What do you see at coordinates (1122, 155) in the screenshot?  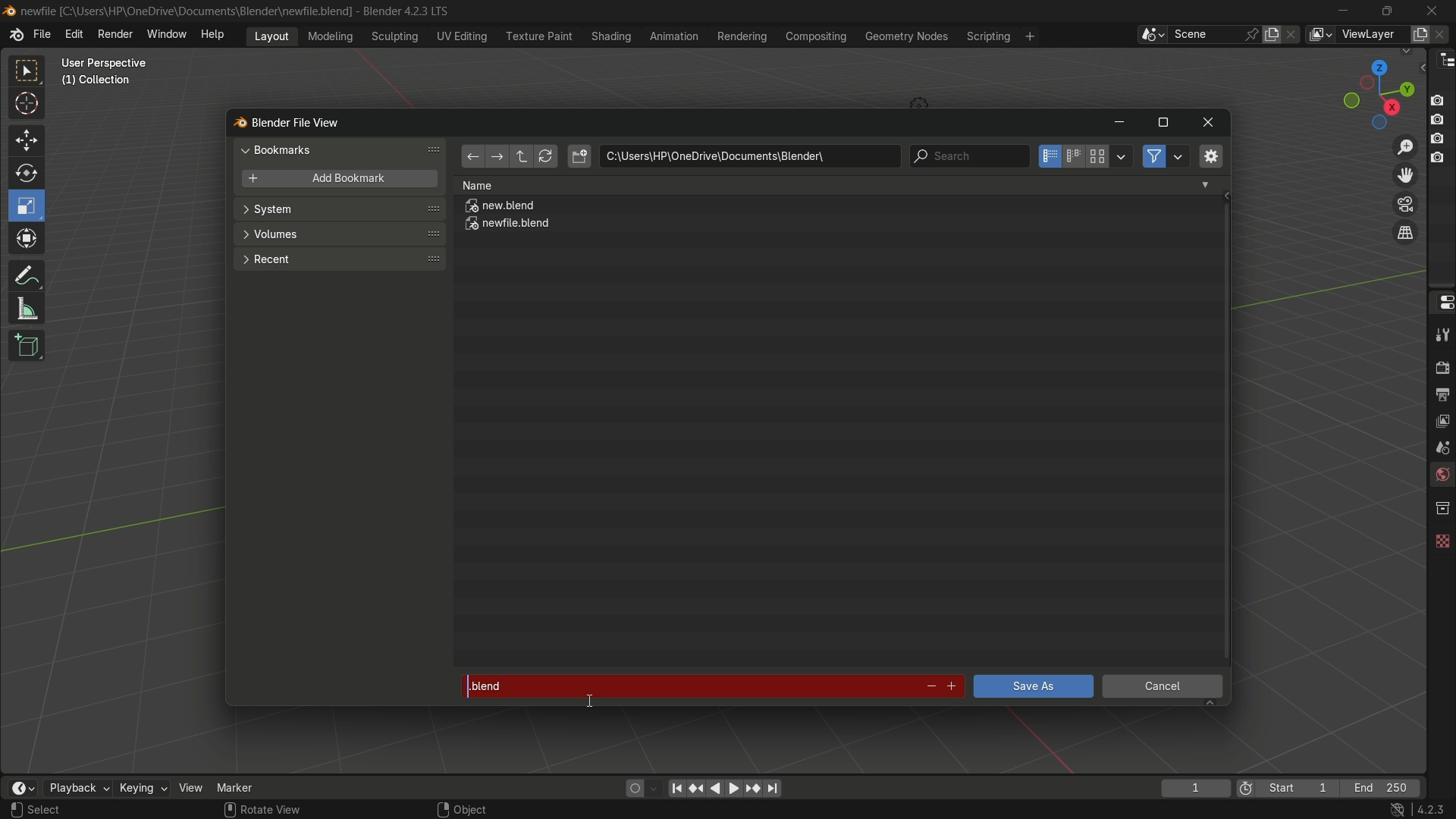 I see `display settings` at bounding box center [1122, 155].